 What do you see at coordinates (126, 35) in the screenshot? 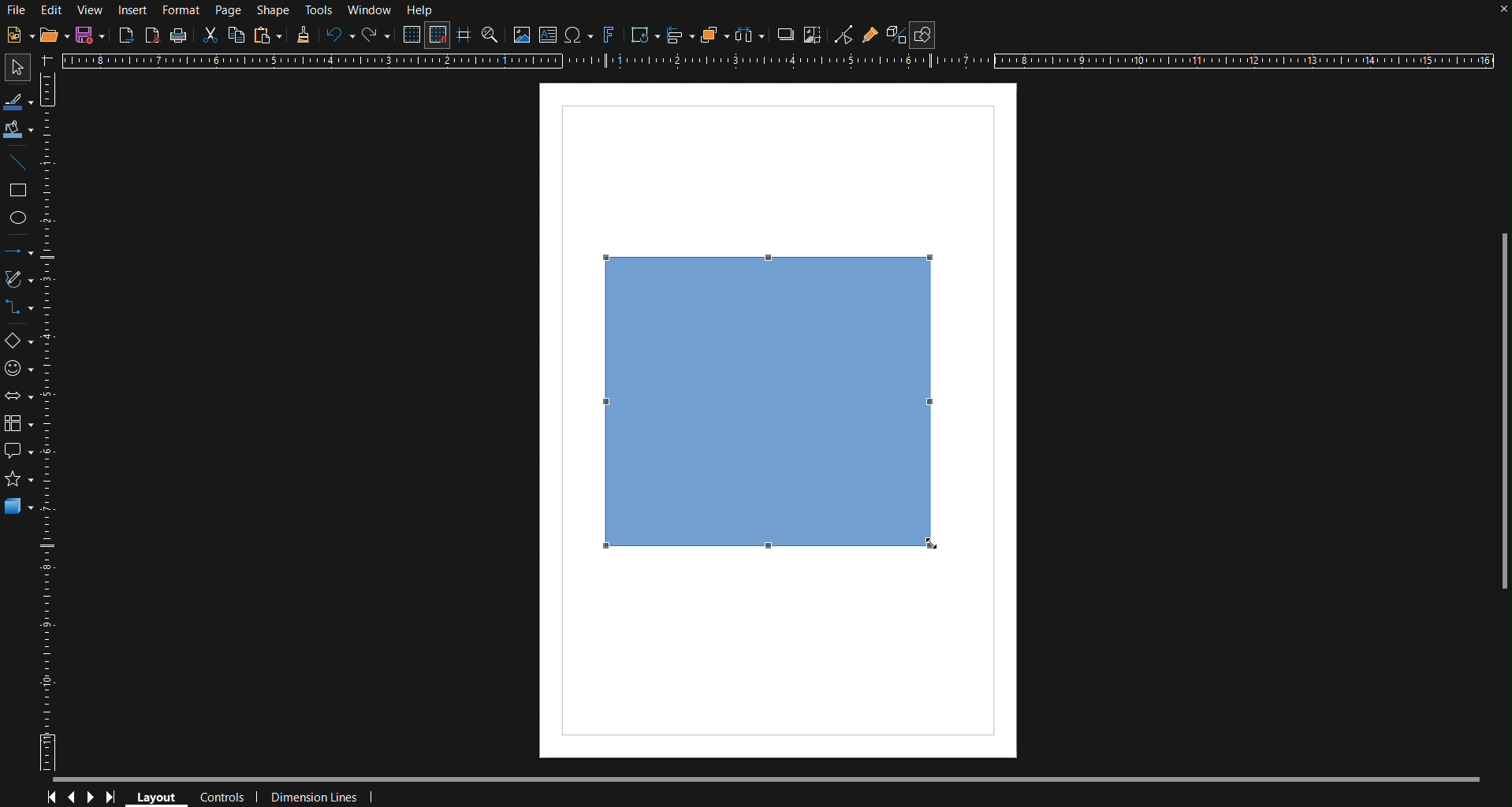
I see `Export` at bounding box center [126, 35].